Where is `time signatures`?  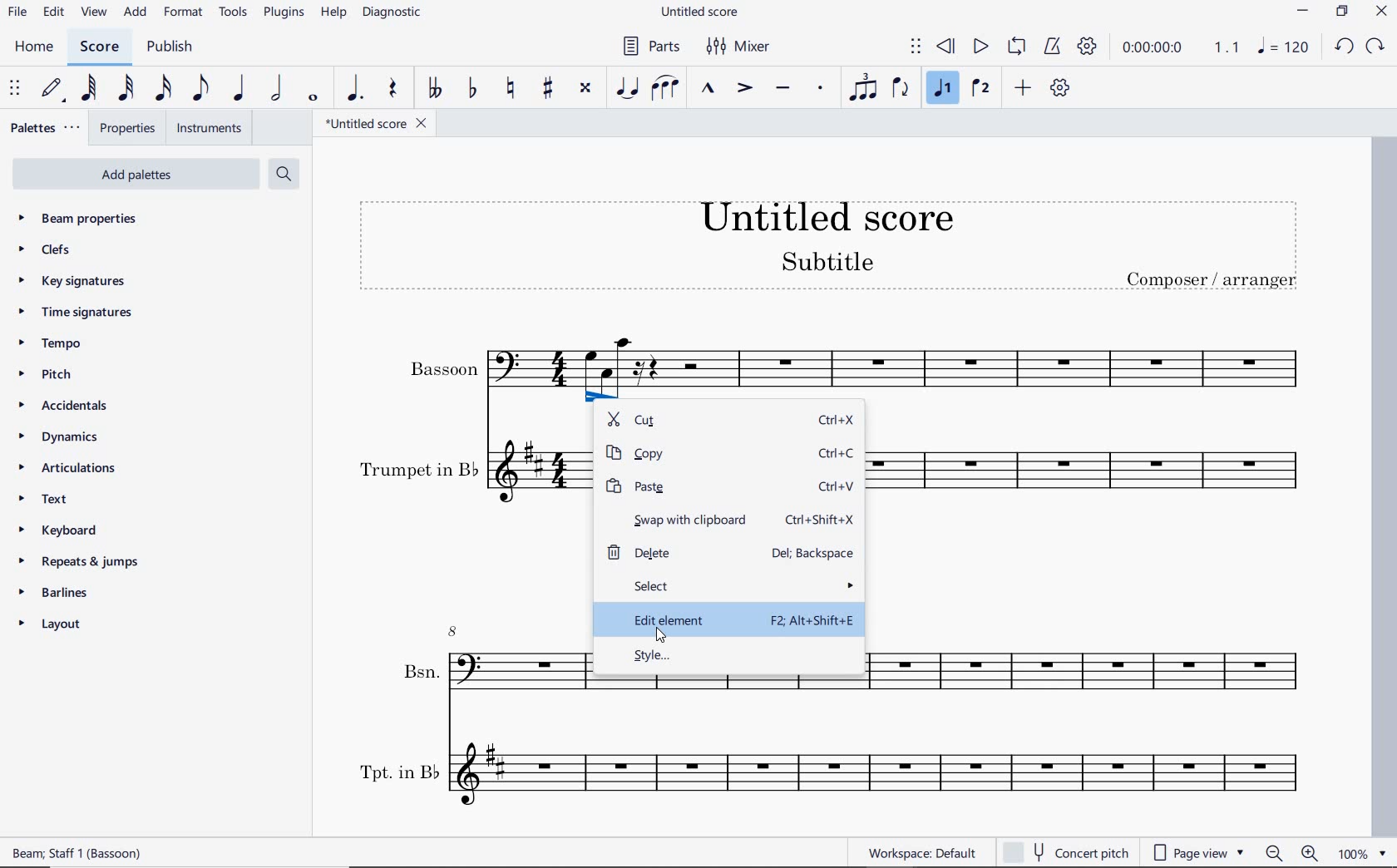 time signatures is located at coordinates (72, 313).